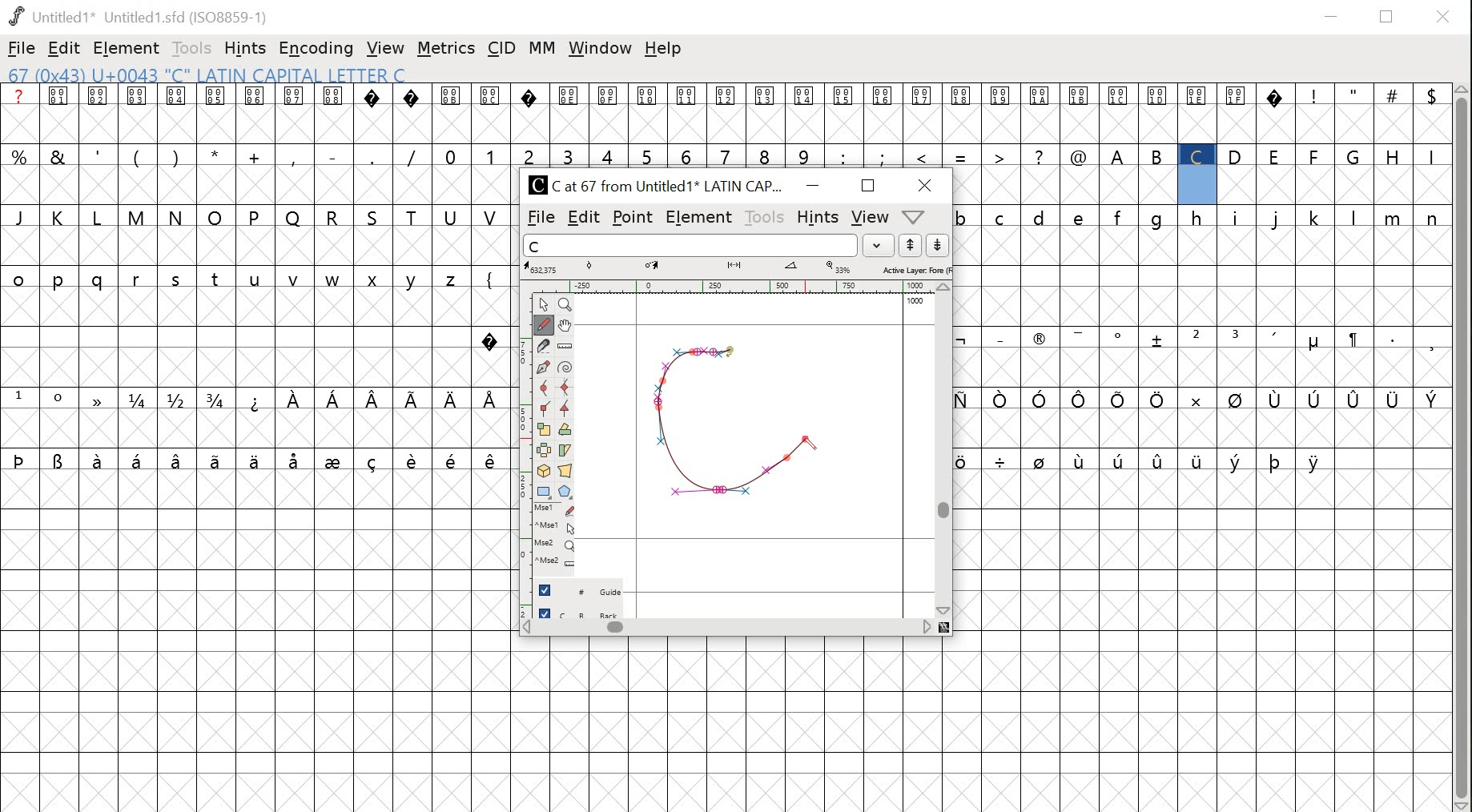 Image resolution: width=1472 pixels, height=812 pixels. I want to click on view, so click(384, 47).